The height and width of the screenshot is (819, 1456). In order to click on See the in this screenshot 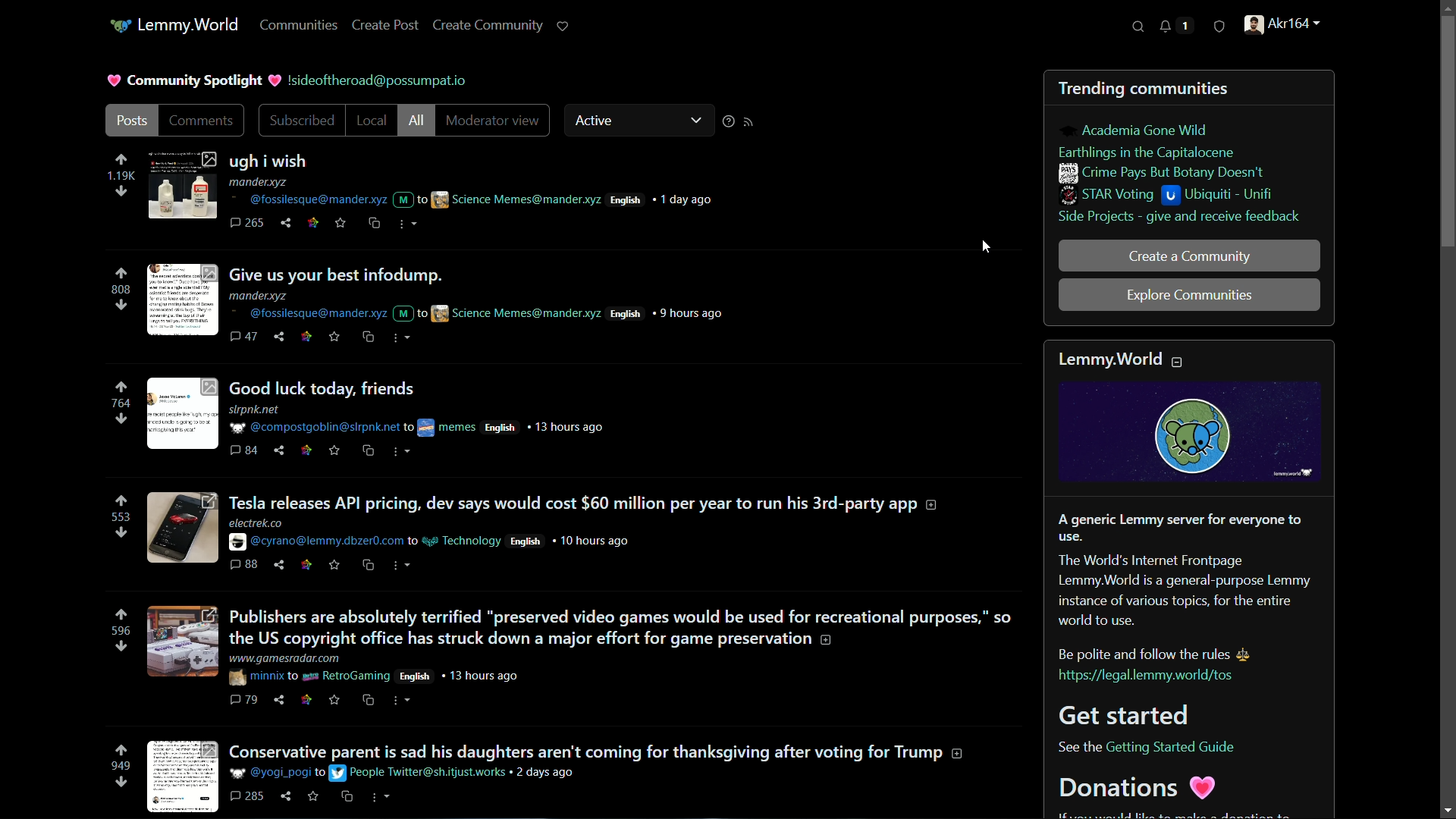, I will do `click(1077, 748)`.